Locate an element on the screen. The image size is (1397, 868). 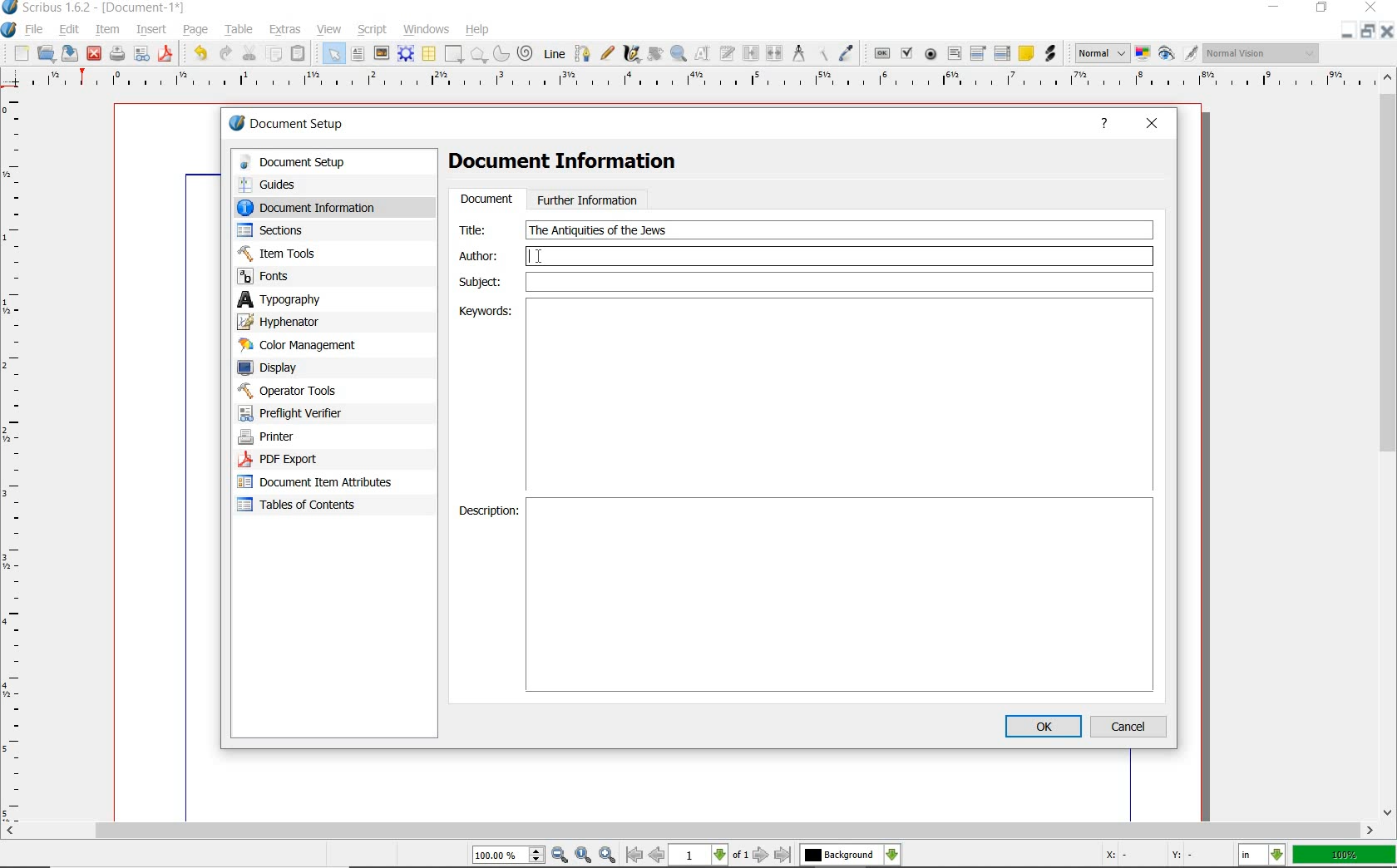
table is located at coordinates (428, 53).